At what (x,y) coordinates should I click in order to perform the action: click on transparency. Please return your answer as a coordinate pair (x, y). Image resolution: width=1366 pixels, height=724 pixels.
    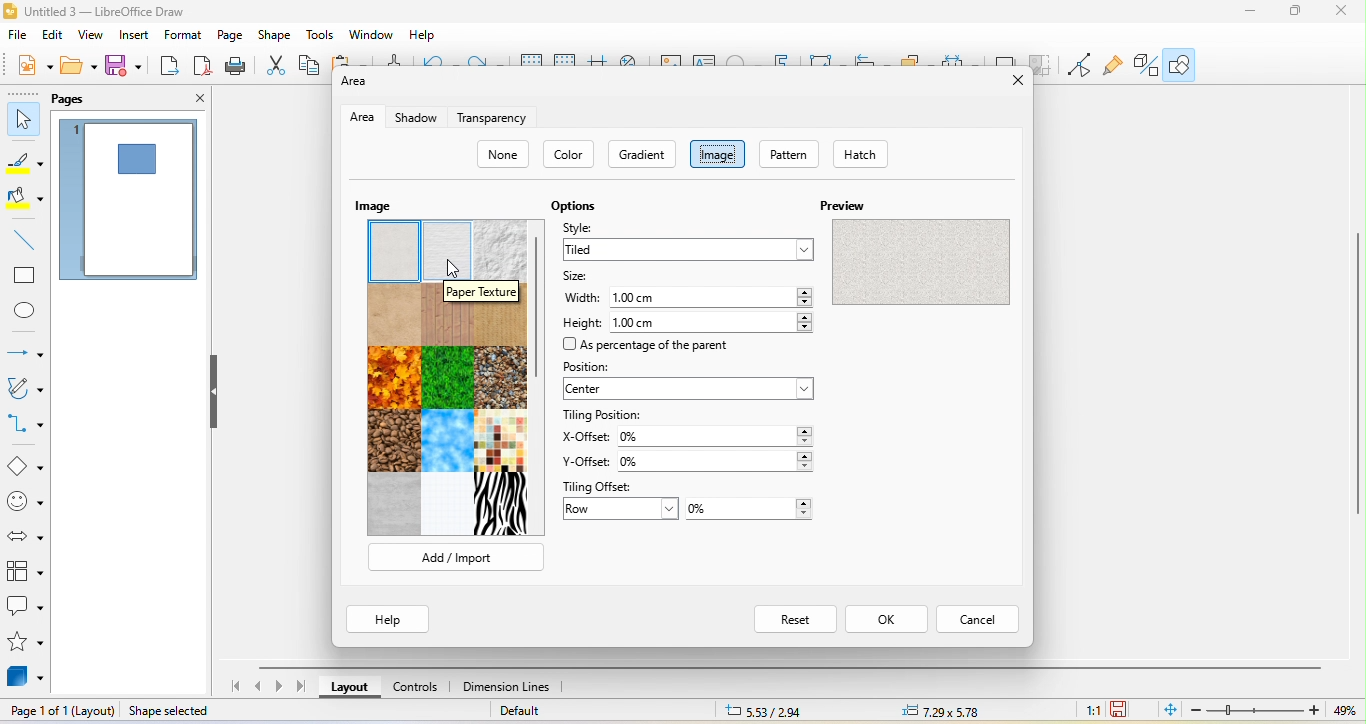
    Looking at the image, I should click on (506, 117).